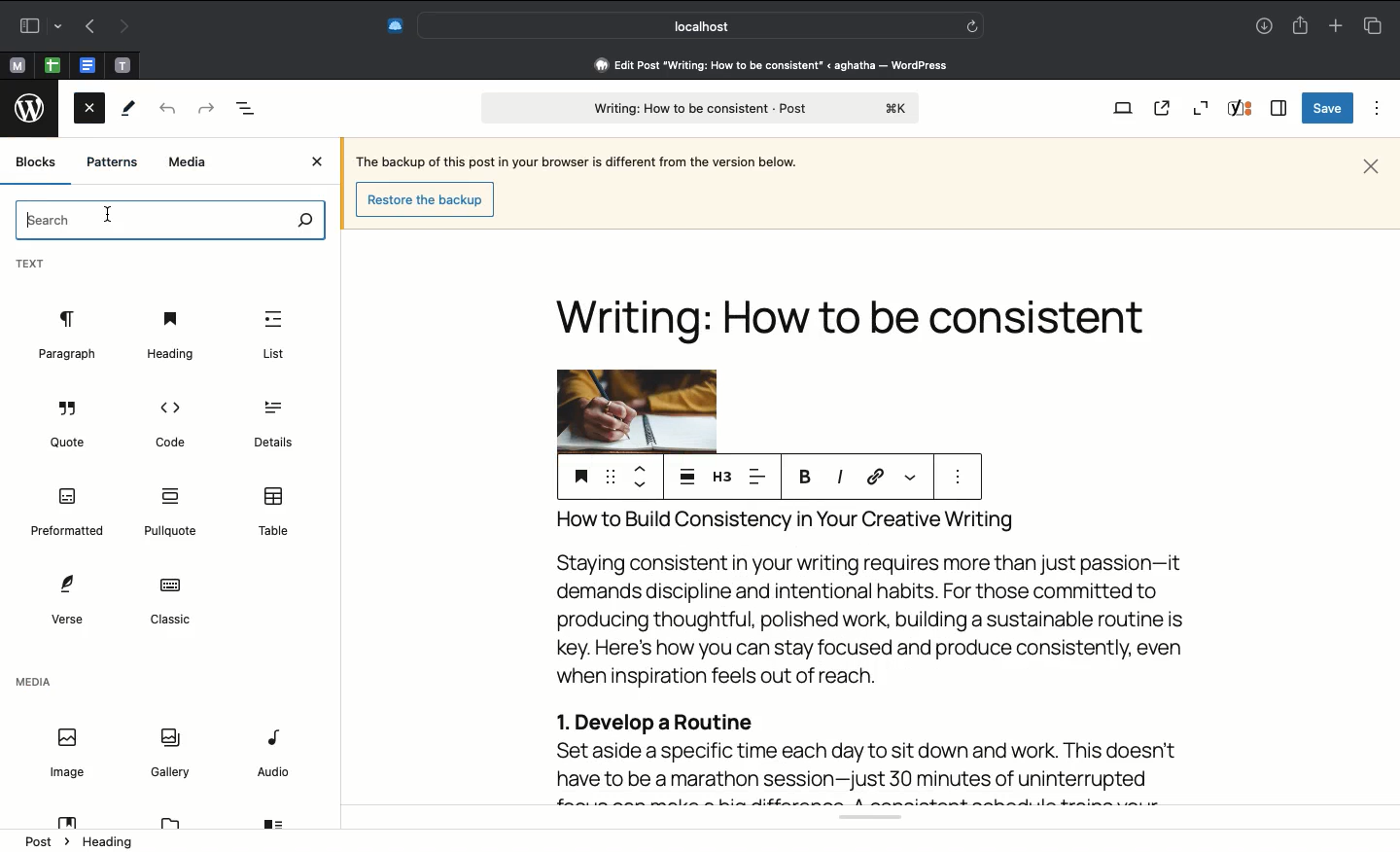  I want to click on Forward, so click(205, 109).